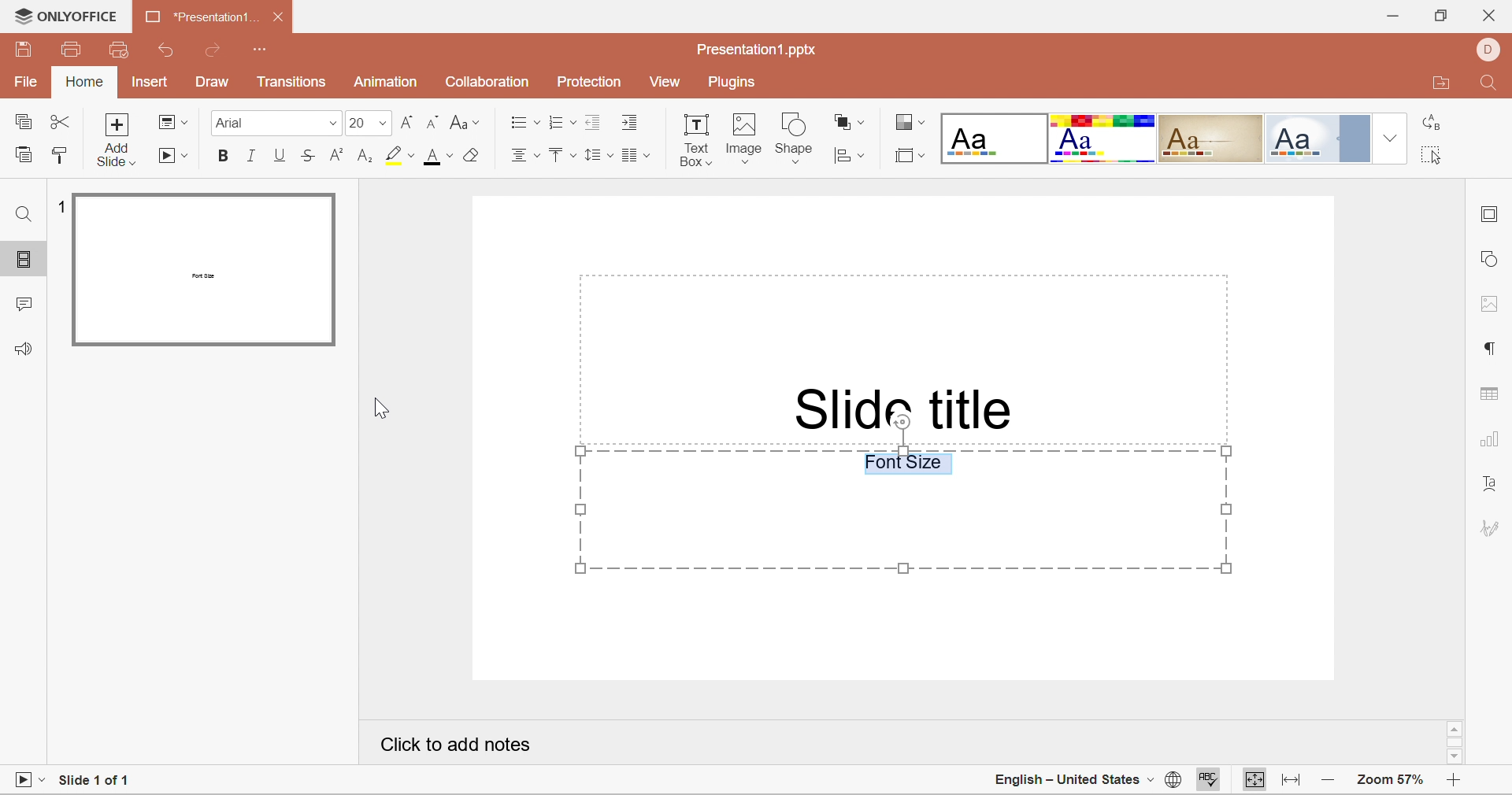 Image resolution: width=1512 pixels, height=795 pixels. What do you see at coordinates (455, 745) in the screenshot?
I see `Click to add notes` at bounding box center [455, 745].